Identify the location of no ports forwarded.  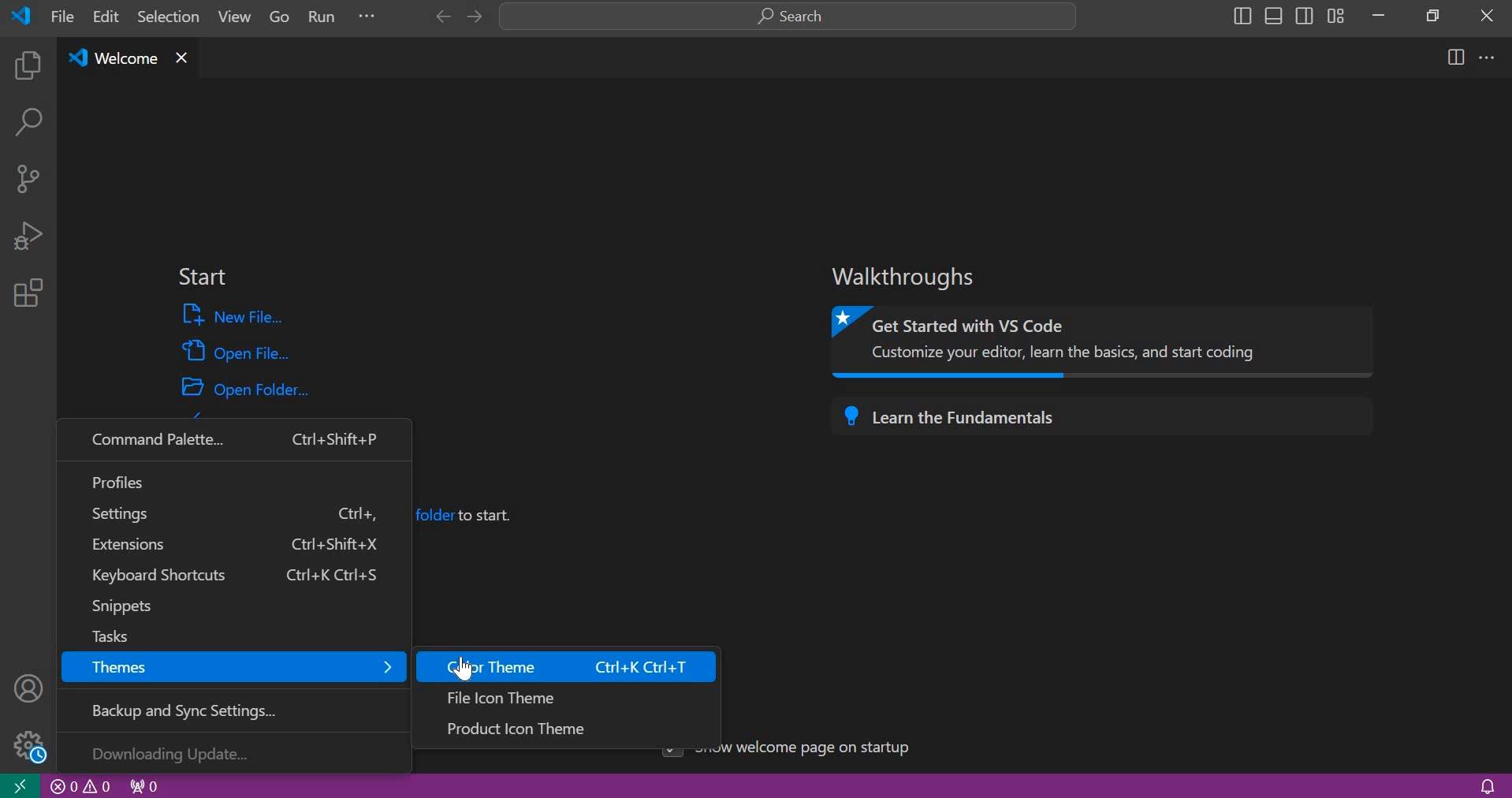
(145, 785).